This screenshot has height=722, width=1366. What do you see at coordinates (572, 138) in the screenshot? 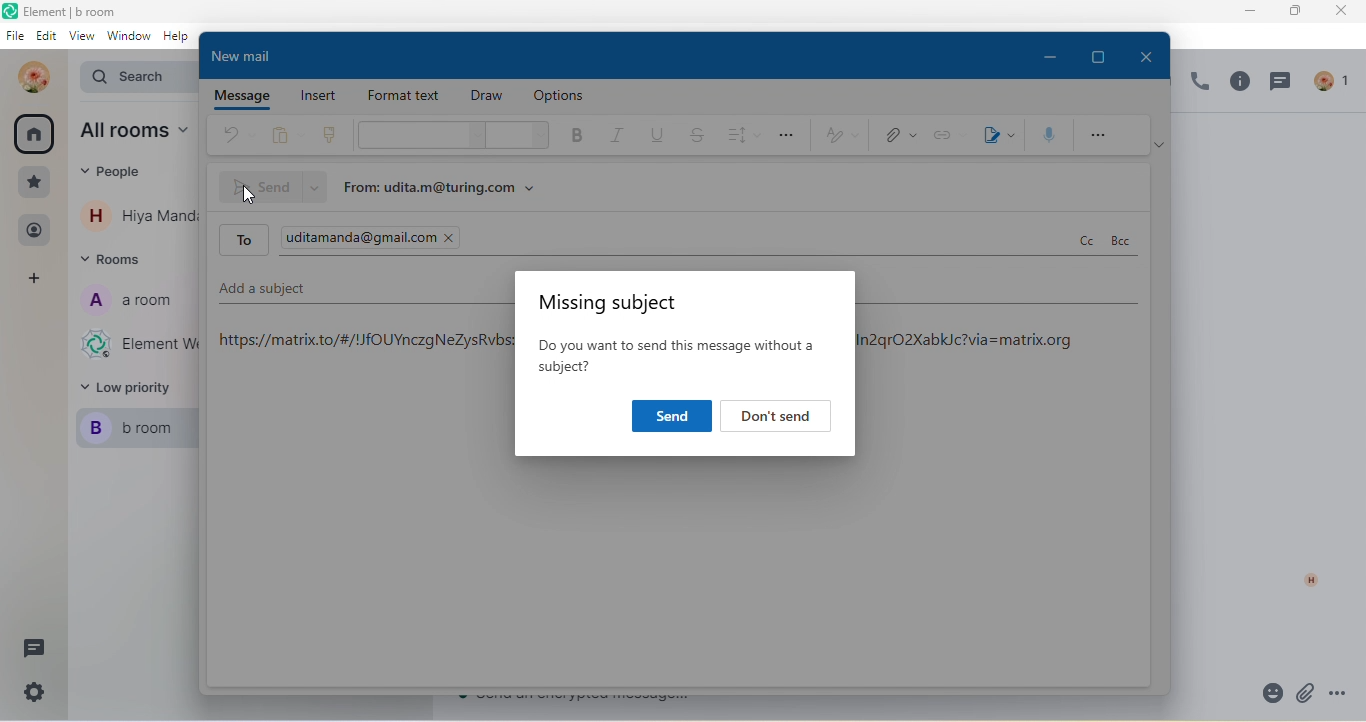
I see `bold` at bounding box center [572, 138].